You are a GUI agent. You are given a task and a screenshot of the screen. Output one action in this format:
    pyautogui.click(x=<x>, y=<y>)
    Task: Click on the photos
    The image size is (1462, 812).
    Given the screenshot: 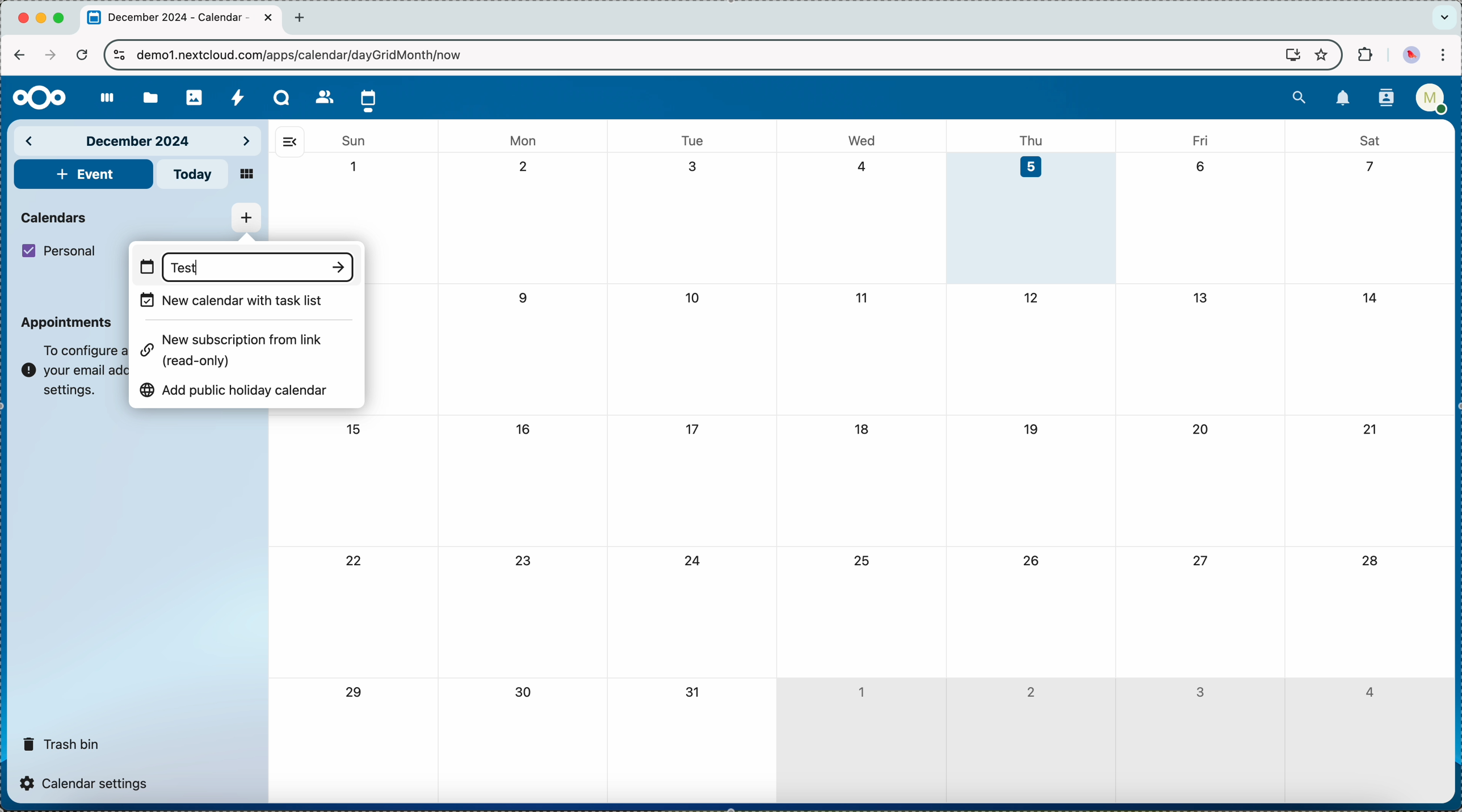 What is the action you would take?
    pyautogui.click(x=194, y=94)
    